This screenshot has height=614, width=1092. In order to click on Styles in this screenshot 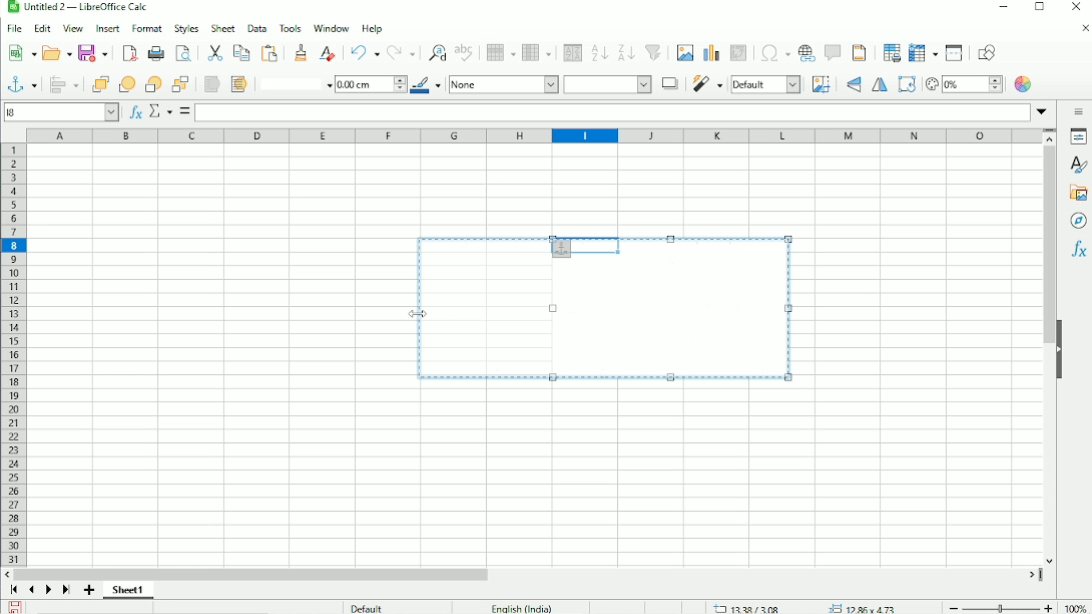, I will do `click(1076, 164)`.